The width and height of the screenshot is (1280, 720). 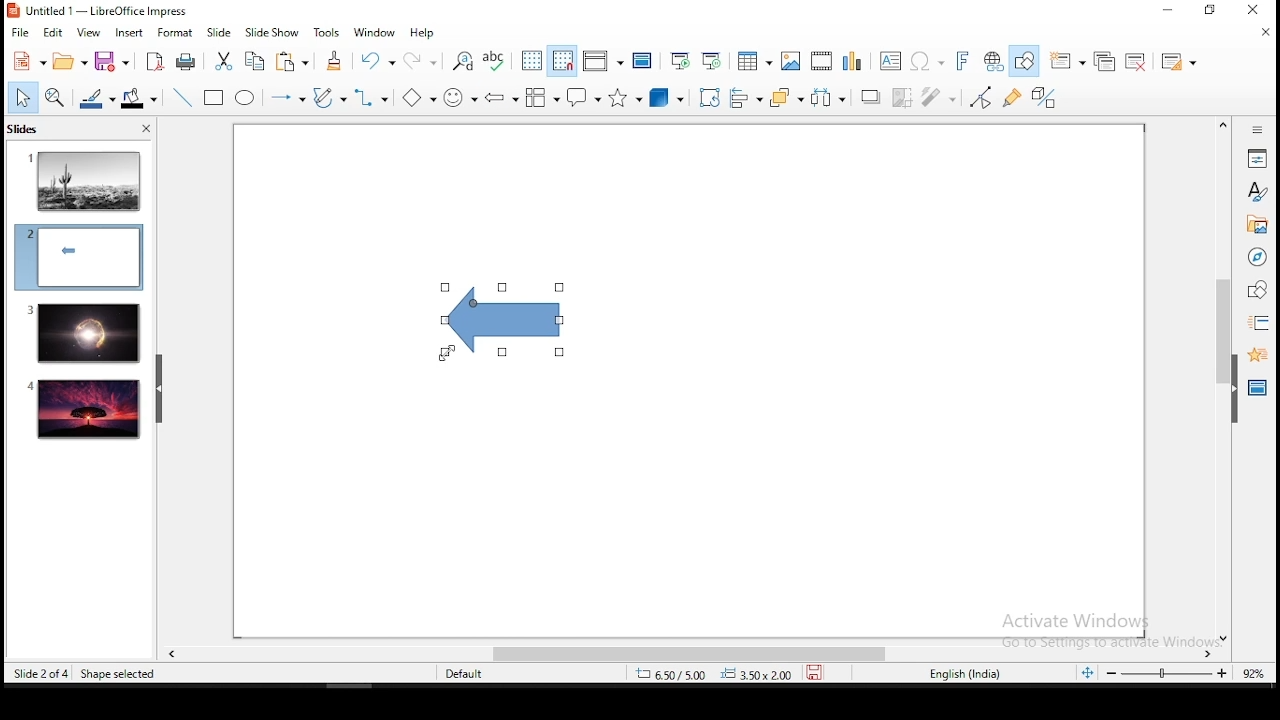 I want to click on block arrows, so click(x=502, y=98).